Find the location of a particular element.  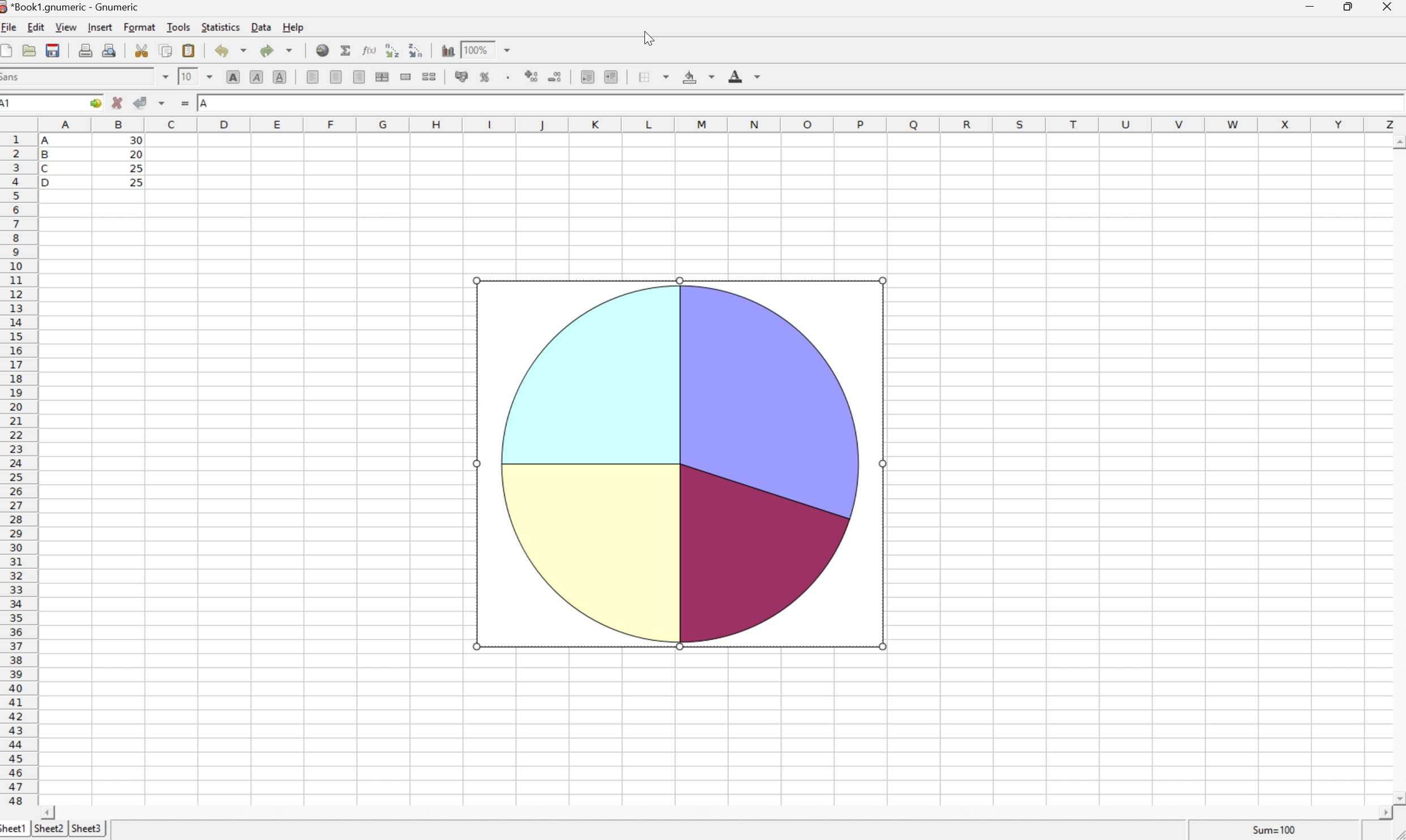

Scroll Left is located at coordinates (50, 812).